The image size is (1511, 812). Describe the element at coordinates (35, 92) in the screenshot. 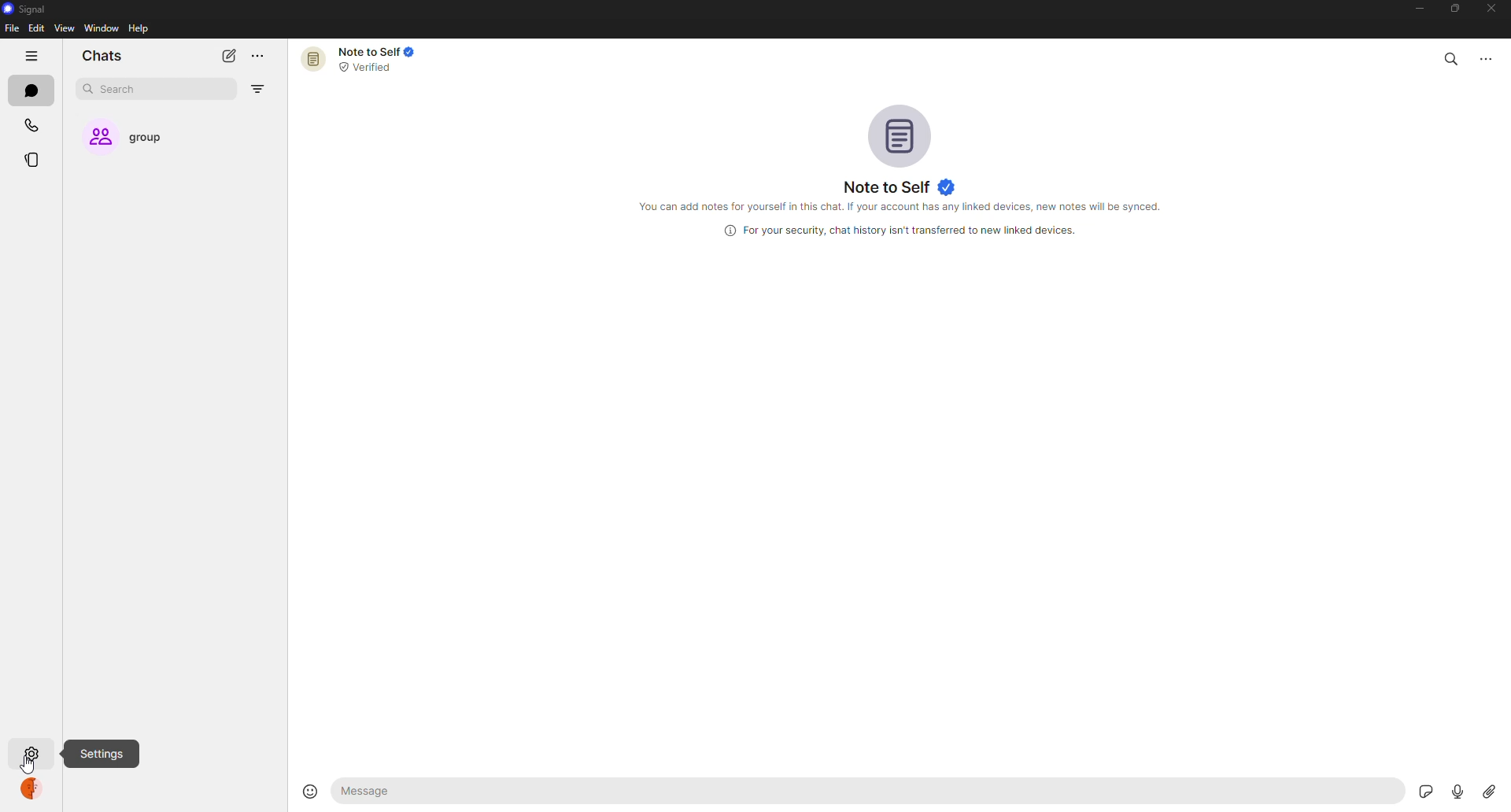

I see `chats` at that location.